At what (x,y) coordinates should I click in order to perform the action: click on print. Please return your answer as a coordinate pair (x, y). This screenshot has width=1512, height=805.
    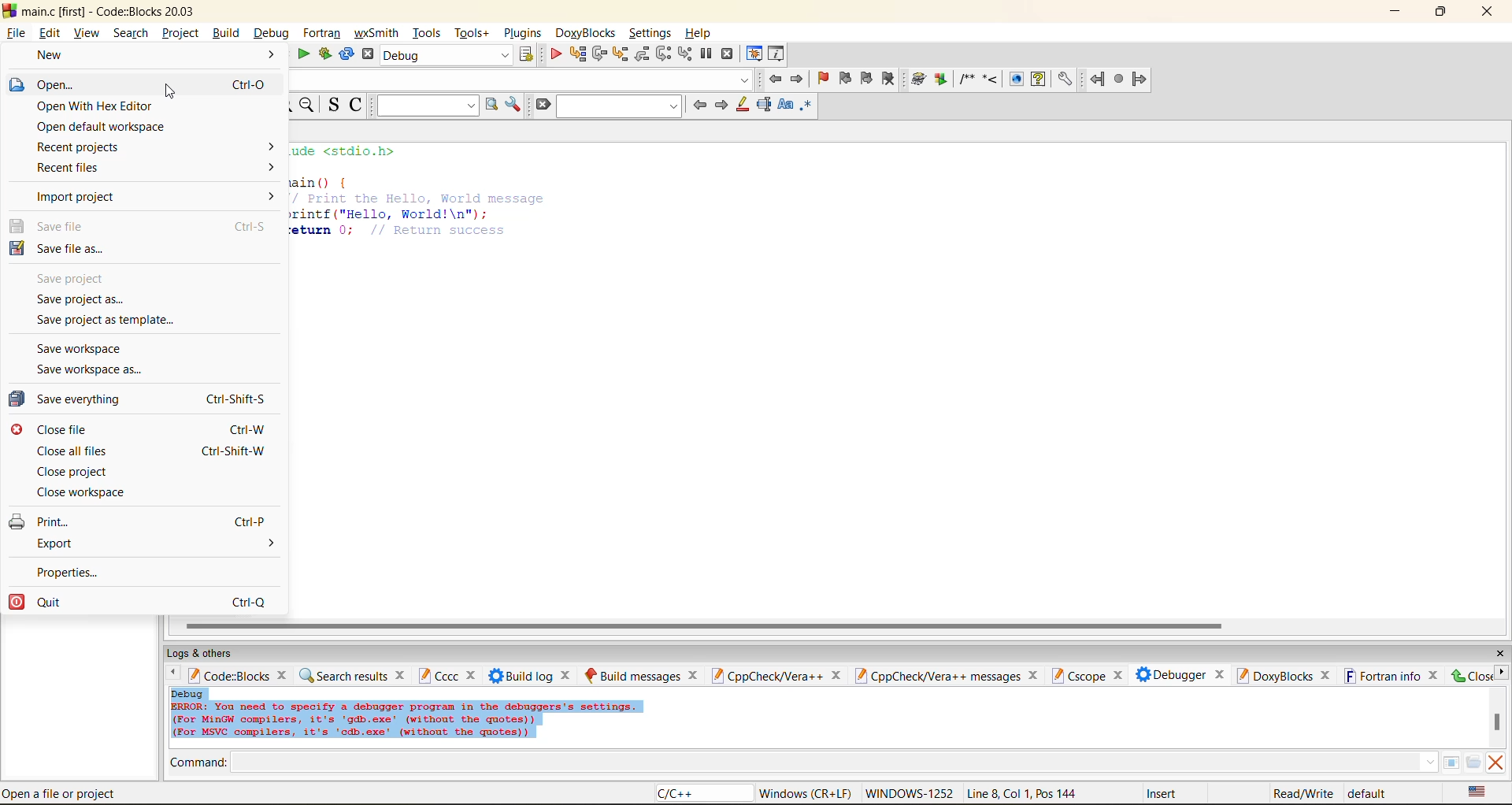
    Looking at the image, I should click on (153, 519).